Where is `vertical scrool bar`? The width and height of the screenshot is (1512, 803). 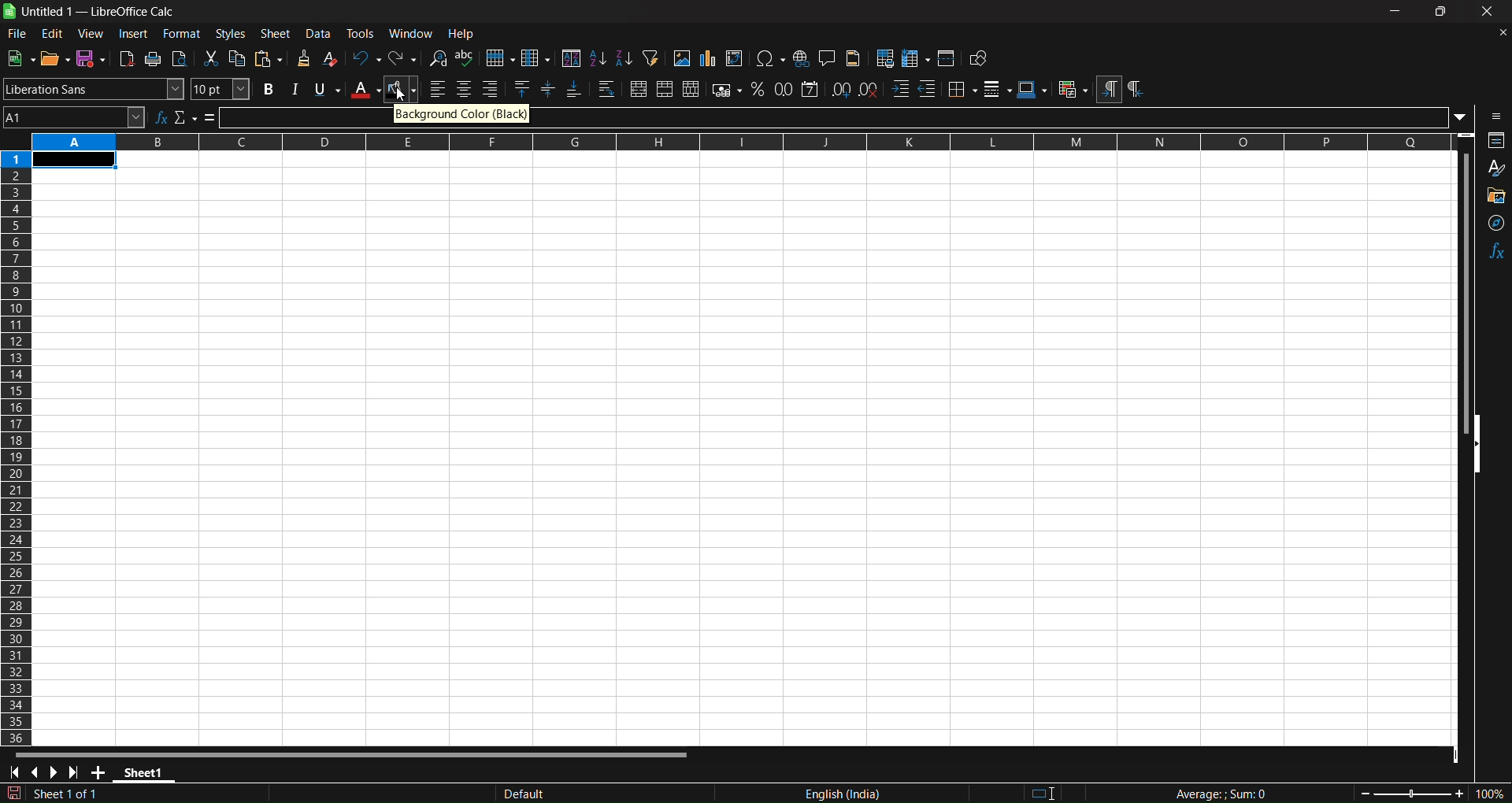 vertical scrool bar is located at coordinates (1458, 296).